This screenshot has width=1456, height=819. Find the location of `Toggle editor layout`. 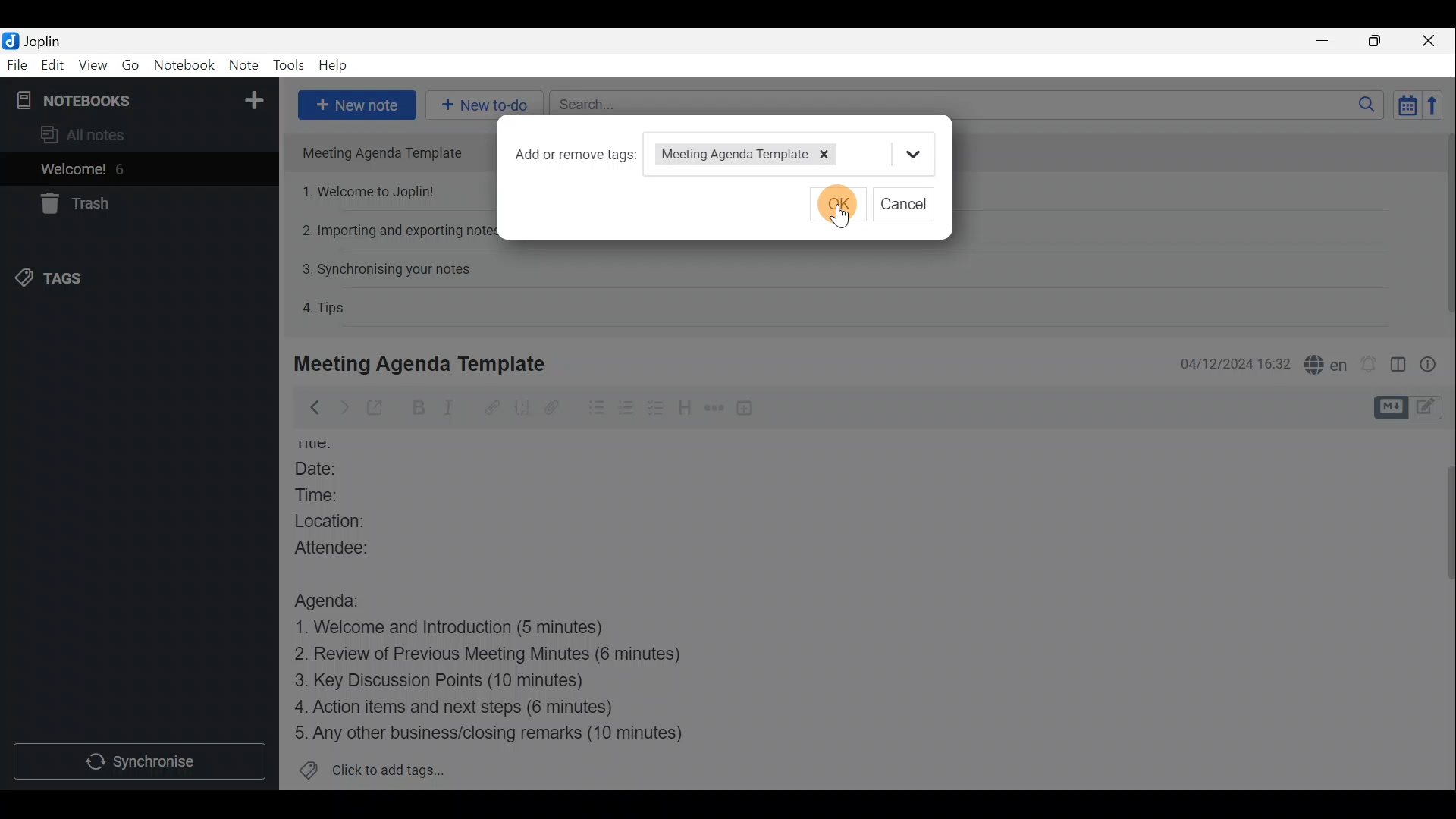

Toggle editor layout is located at coordinates (1399, 367).